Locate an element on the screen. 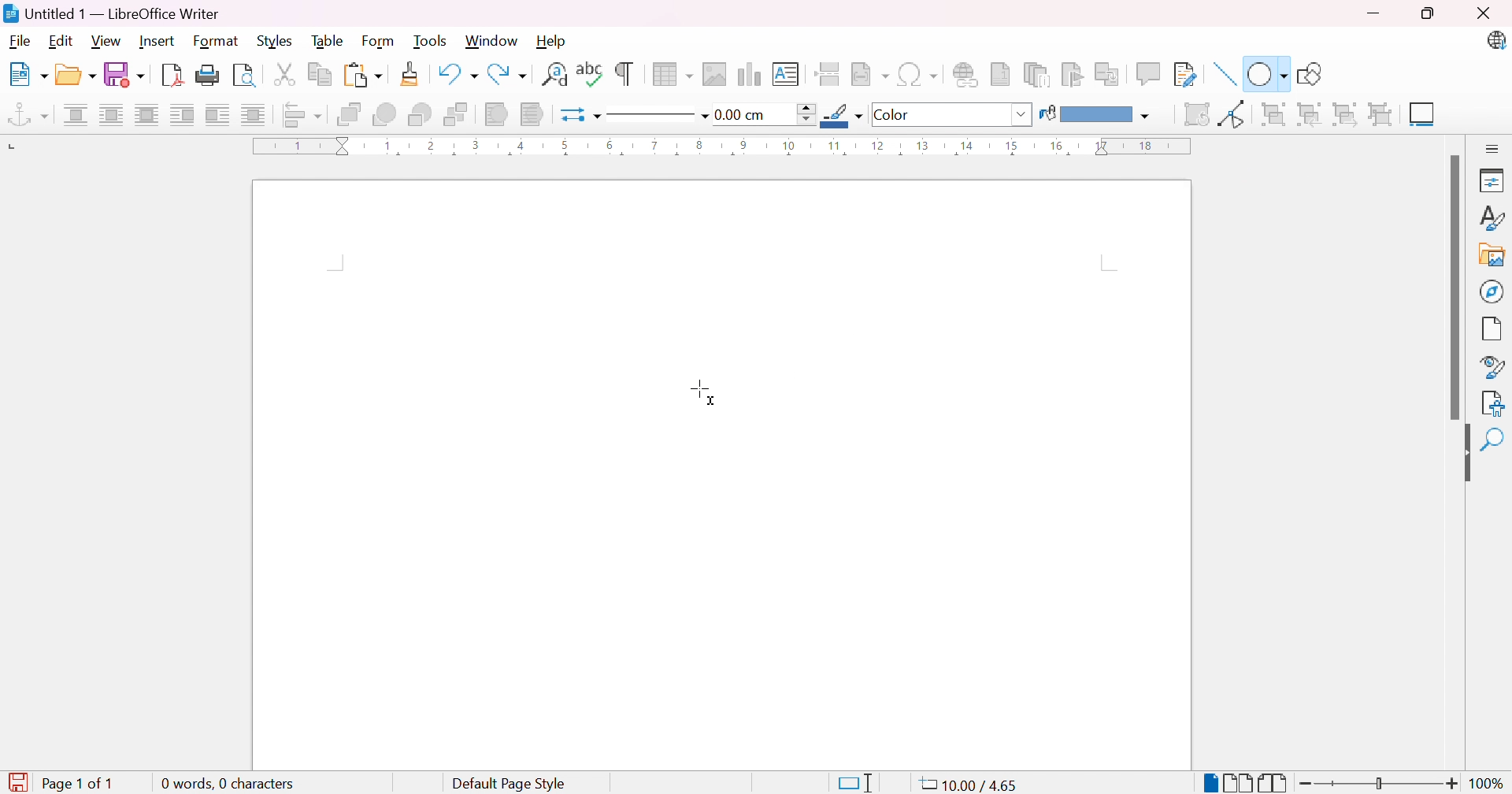 The image size is (1512, 794). Back one is located at coordinates (423, 115).